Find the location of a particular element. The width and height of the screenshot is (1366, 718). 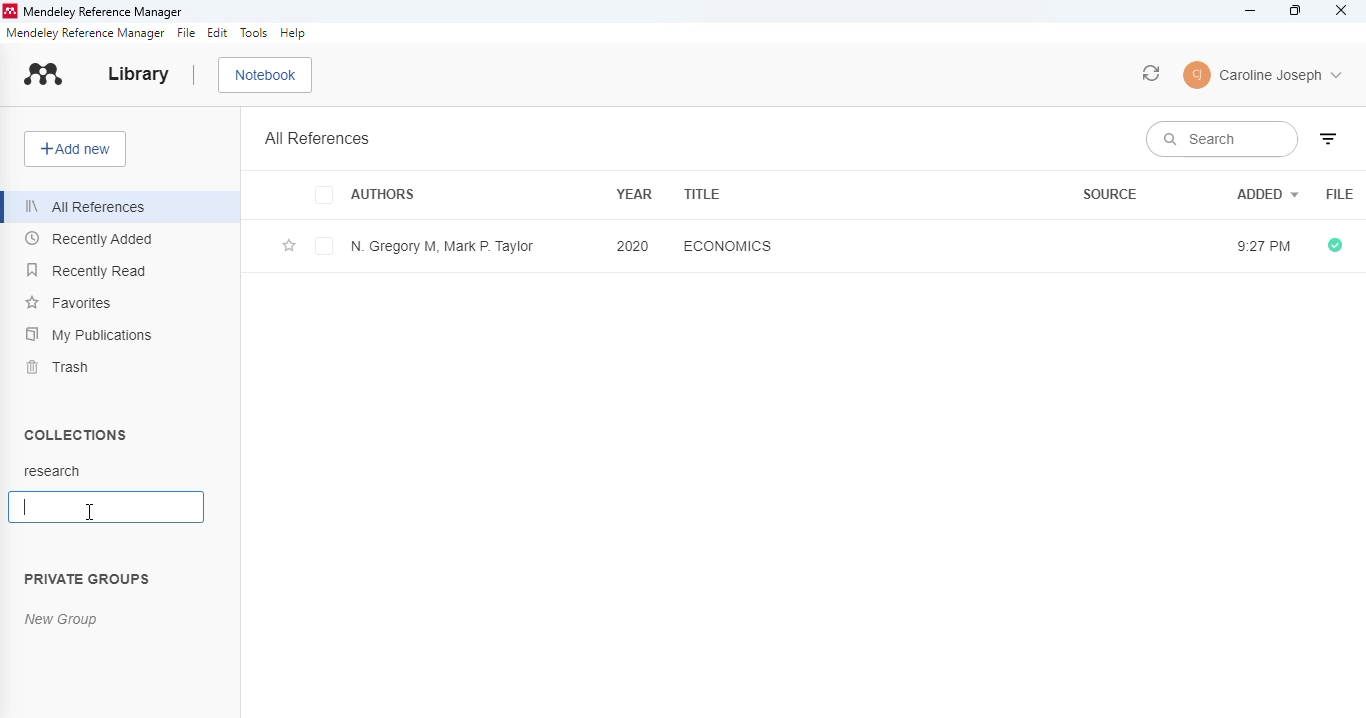

all references is located at coordinates (89, 207).